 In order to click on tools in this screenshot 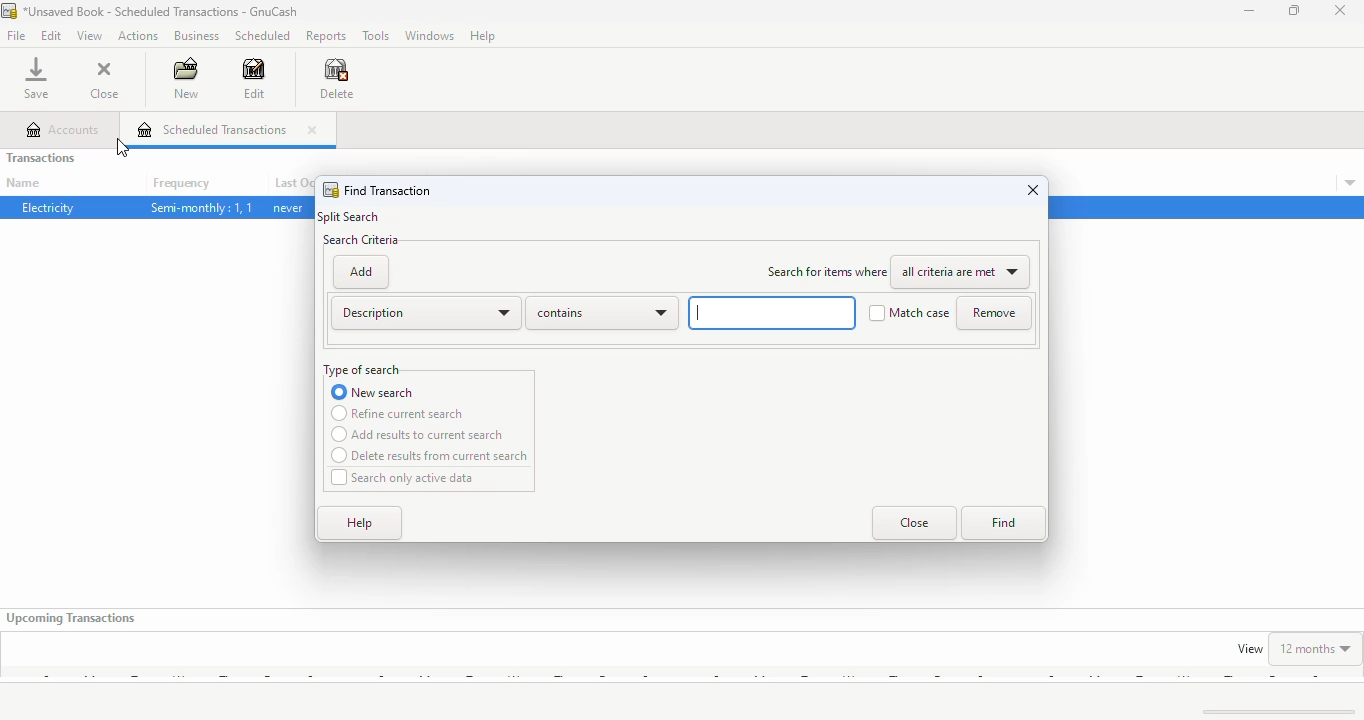, I will do `click(377, 36)`.